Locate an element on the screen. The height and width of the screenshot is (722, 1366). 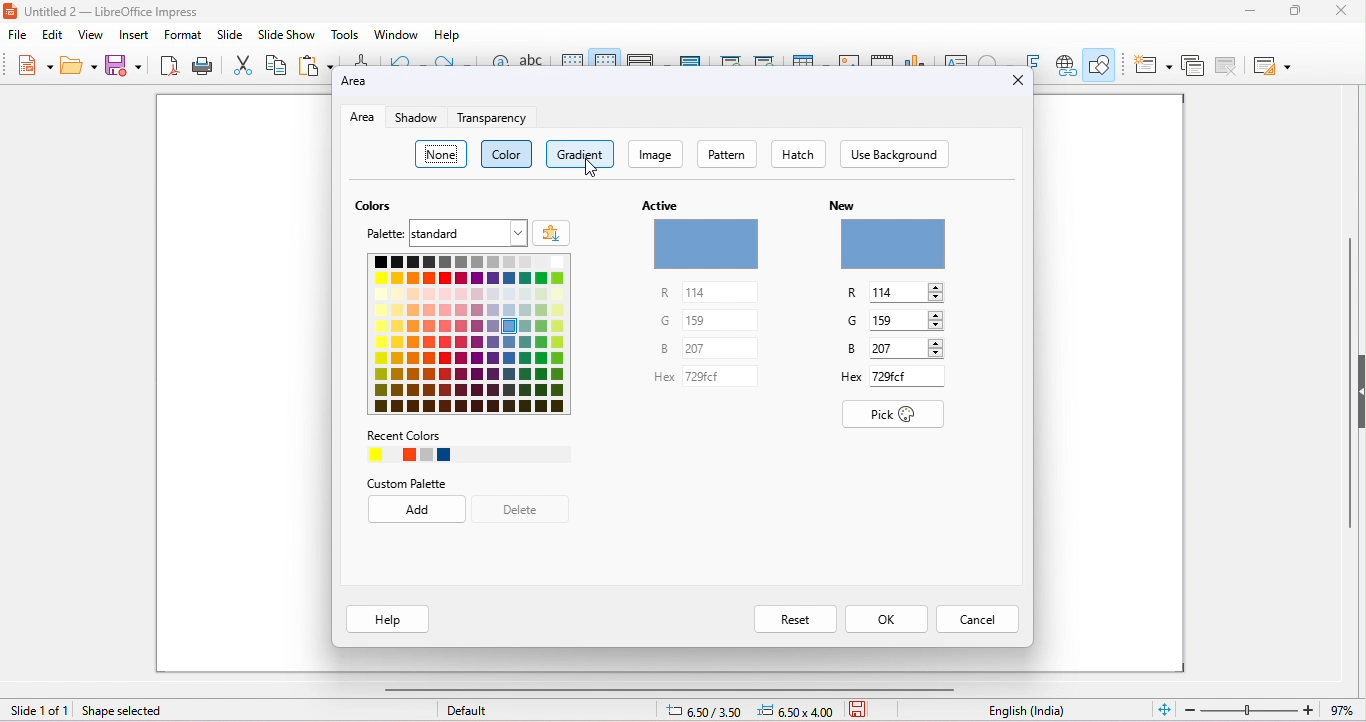
image is located at coordinates (654, 153).